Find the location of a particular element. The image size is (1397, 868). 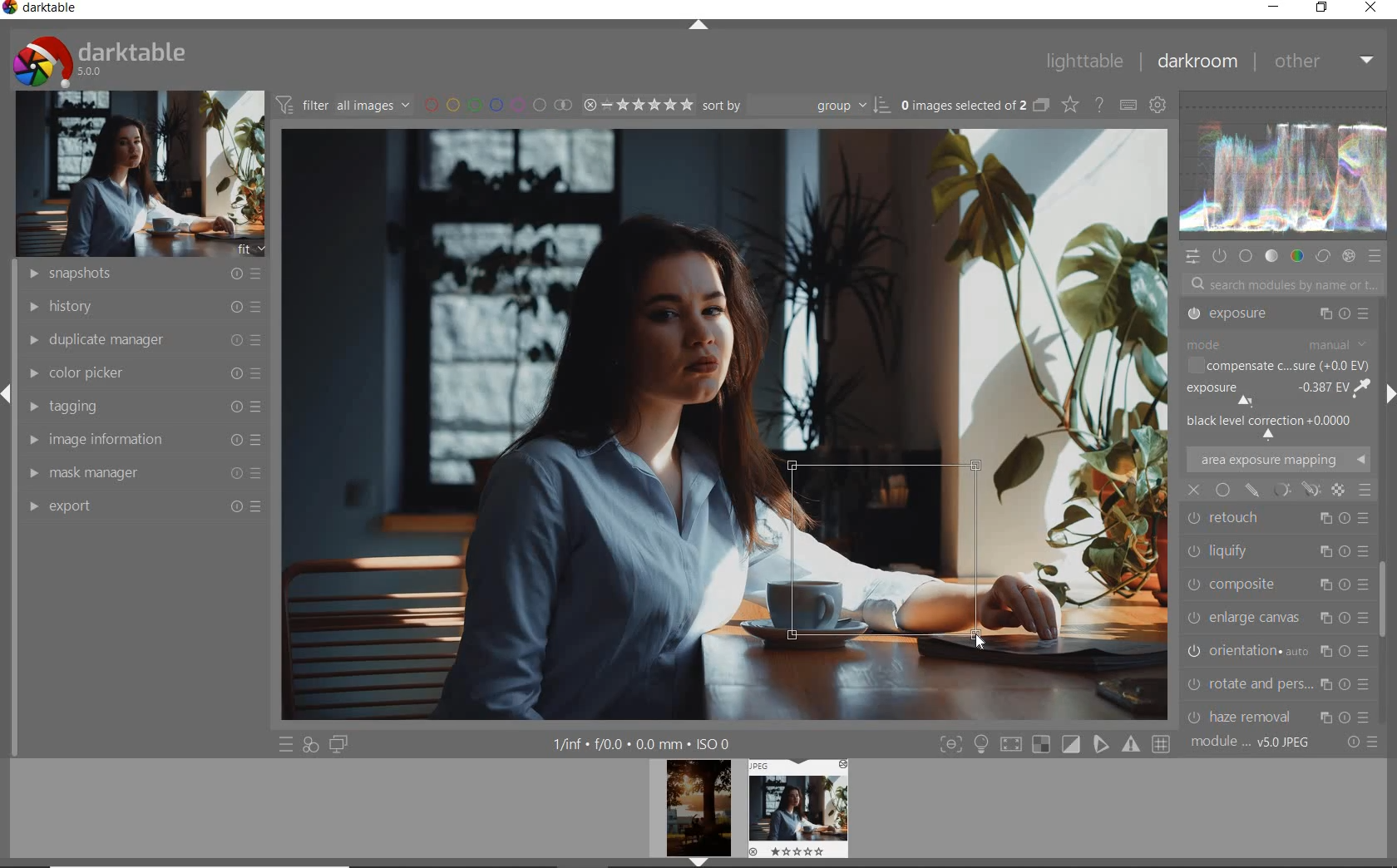

EXPORT is located at coordinates (146, 506).